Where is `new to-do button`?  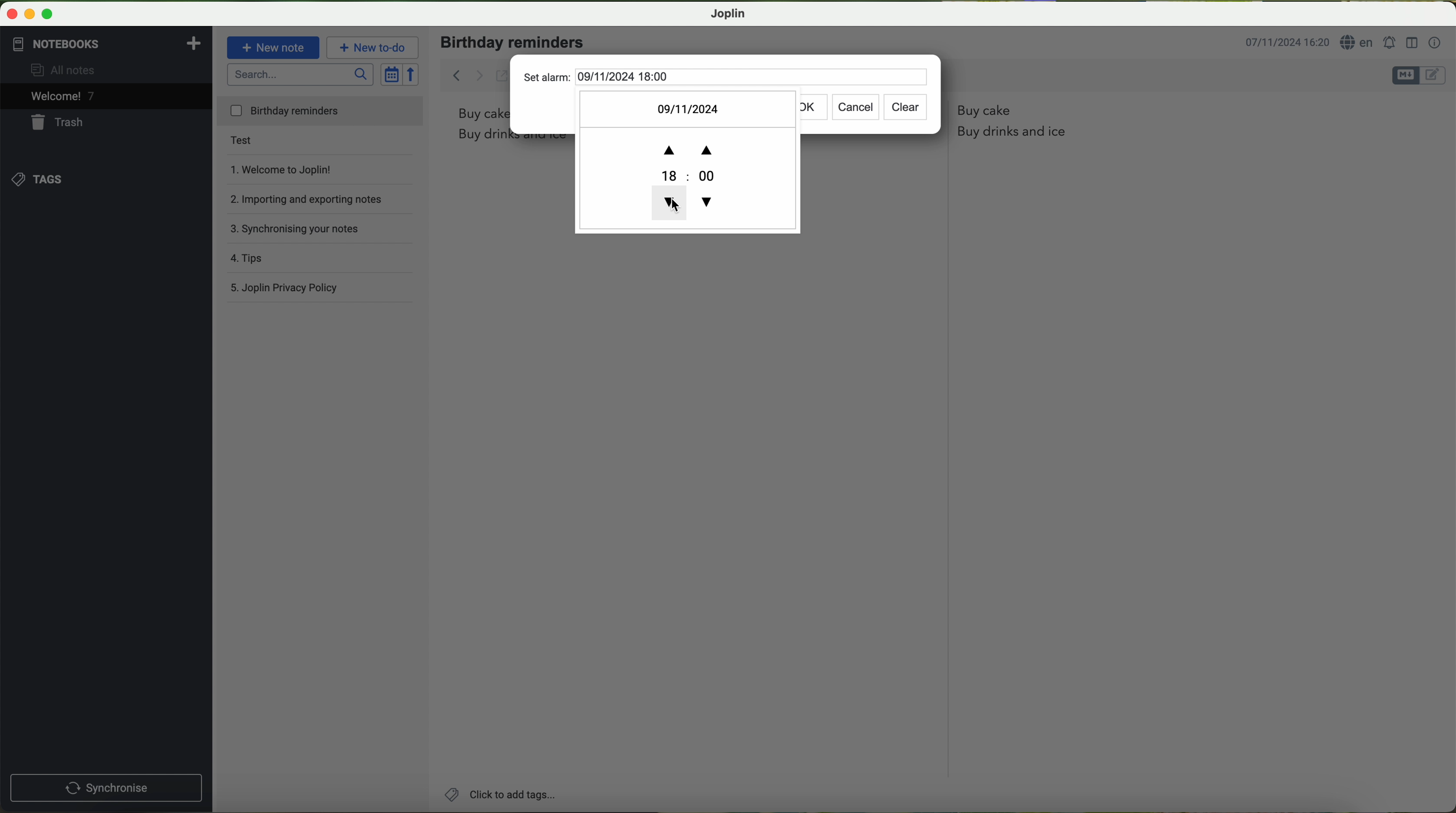
new to-do button is located at coordinates (373, 49).